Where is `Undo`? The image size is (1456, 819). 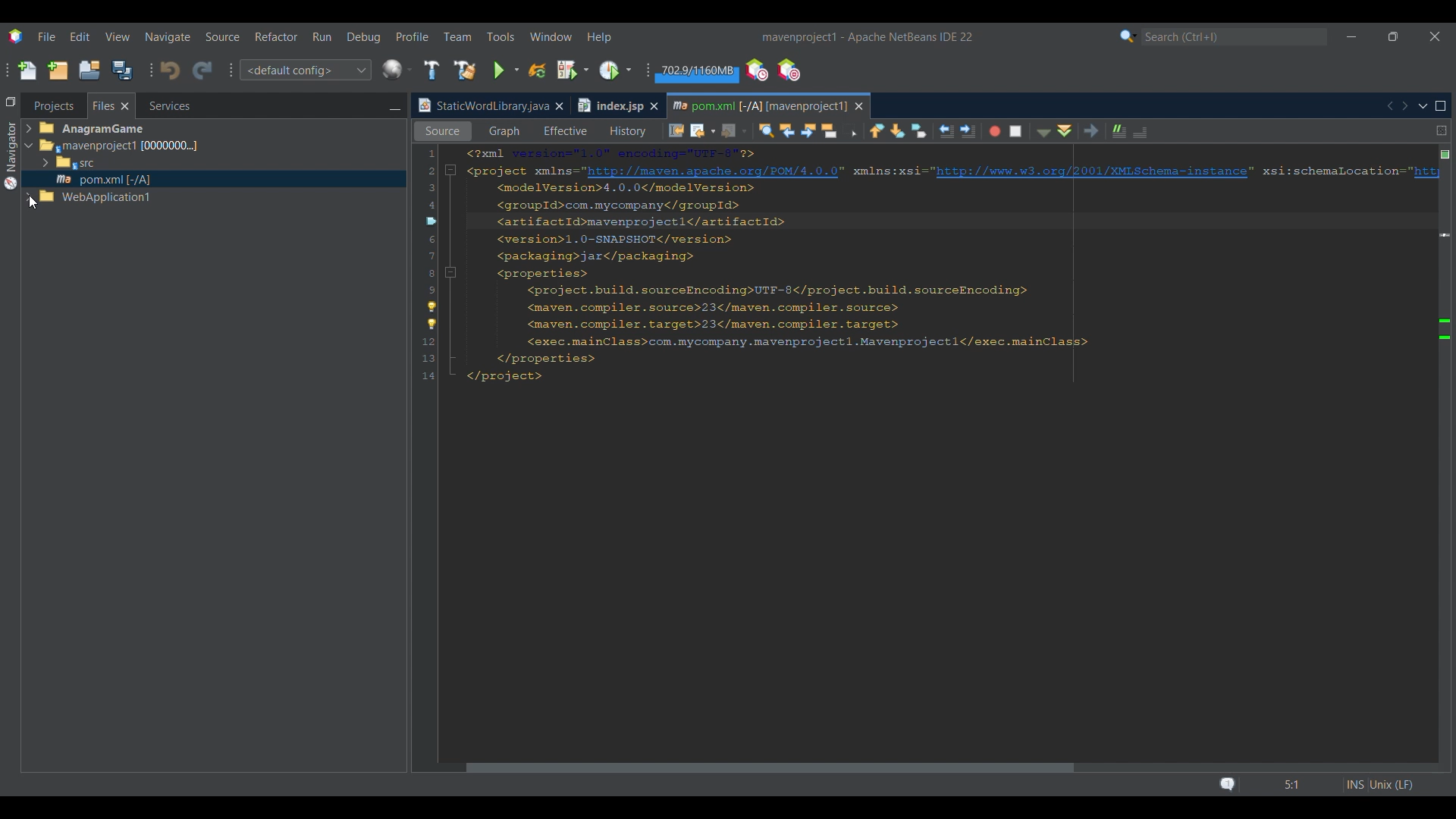 Undo is located at coordinates (170, 71).